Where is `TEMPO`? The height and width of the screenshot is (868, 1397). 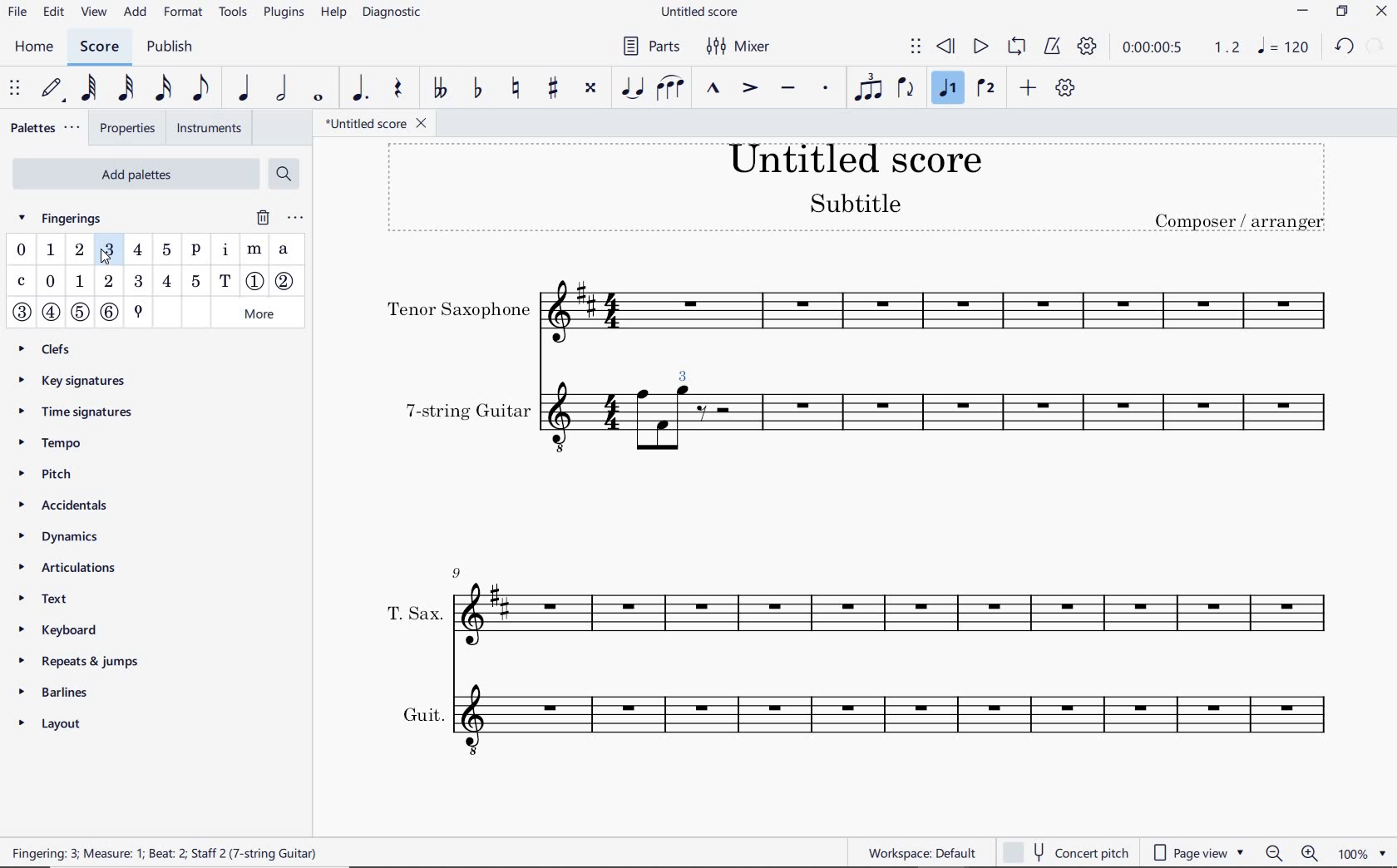
TEMPO is located at coordinates (56, 444).